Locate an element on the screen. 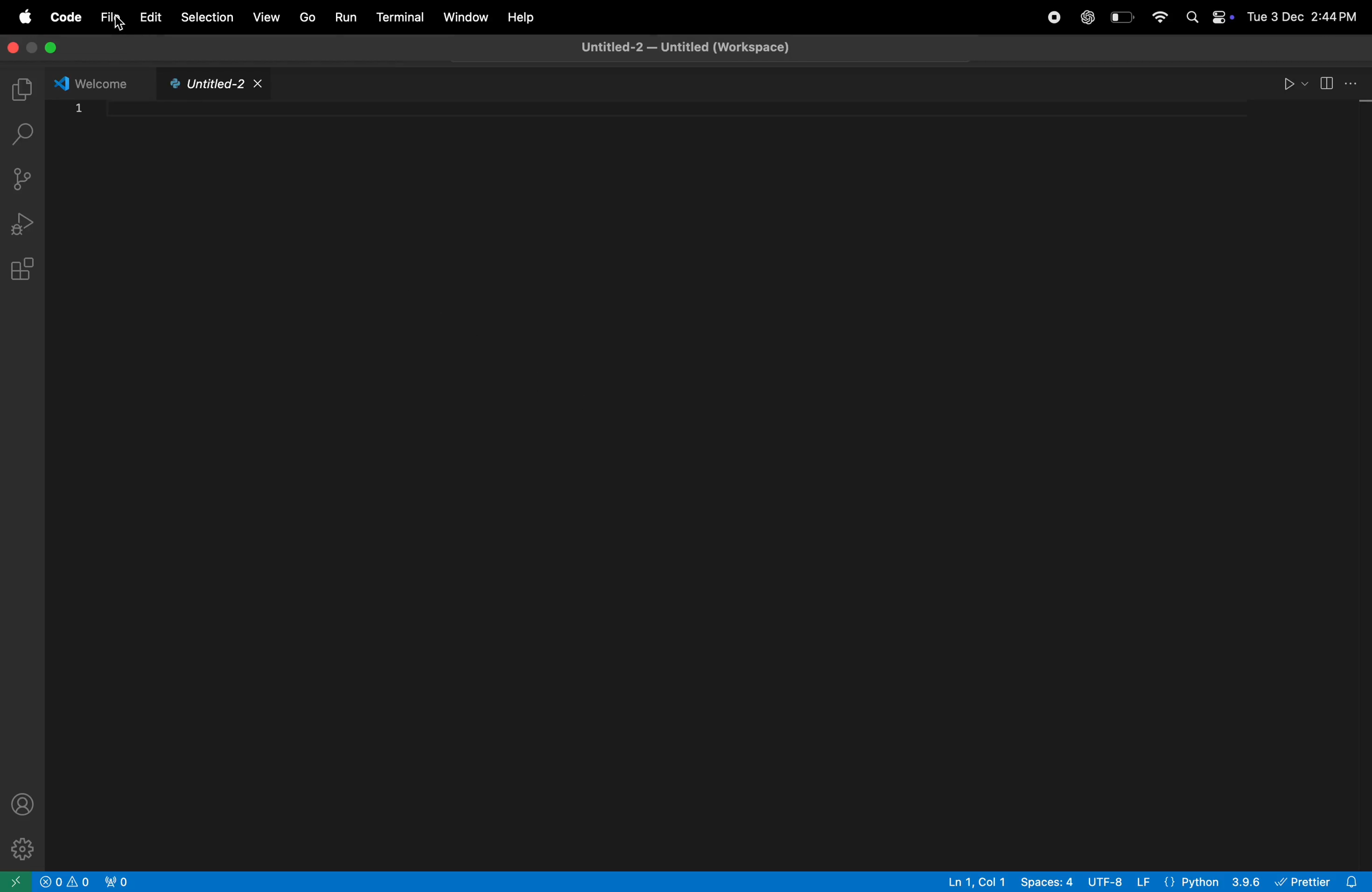  code is located at coordinates (67, 16).